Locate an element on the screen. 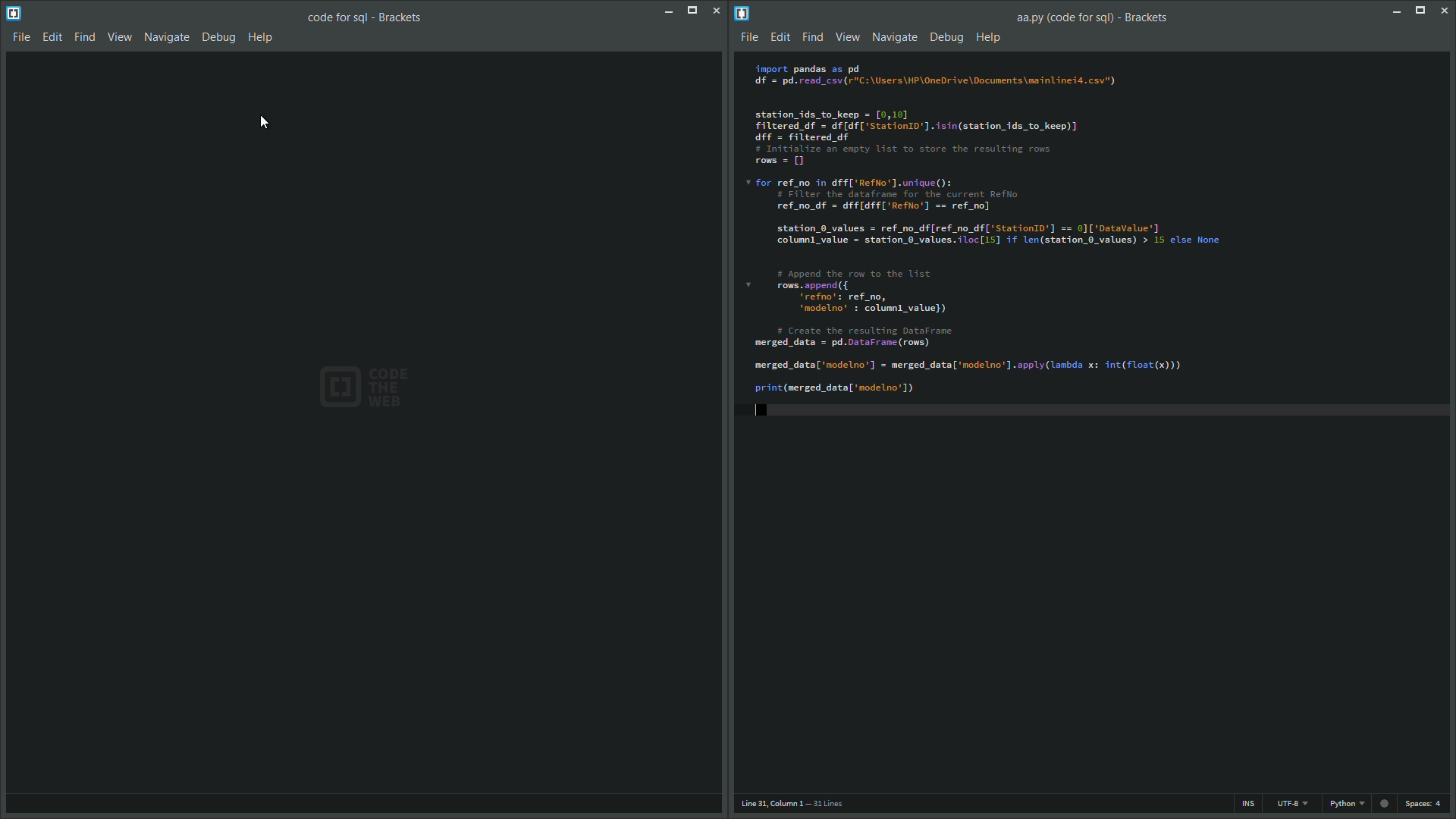 Image resolution: width=1456 pixels, height=819 pixels. another bracket window for comparison is located at coordinates (1093, 421).